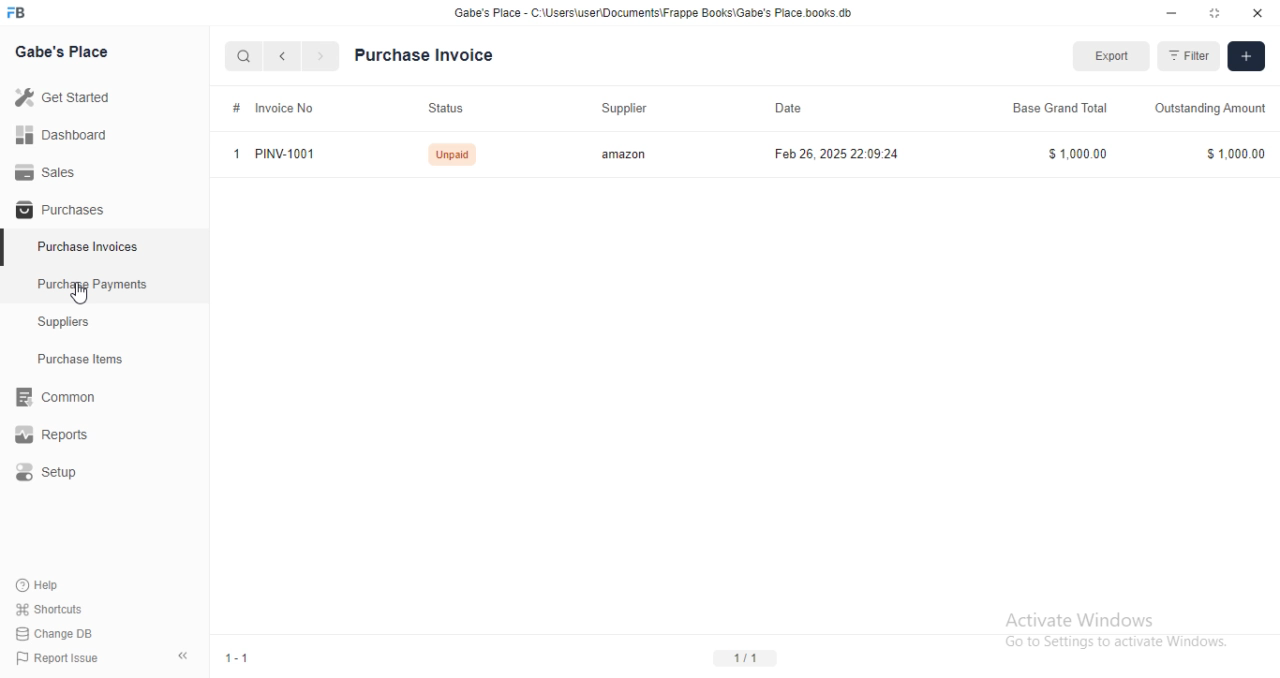 The height and width of the screenshot is (678, 1280). Describe the element at coordinates (62, 96) in the screenshot. I see `Get Started` at that location.